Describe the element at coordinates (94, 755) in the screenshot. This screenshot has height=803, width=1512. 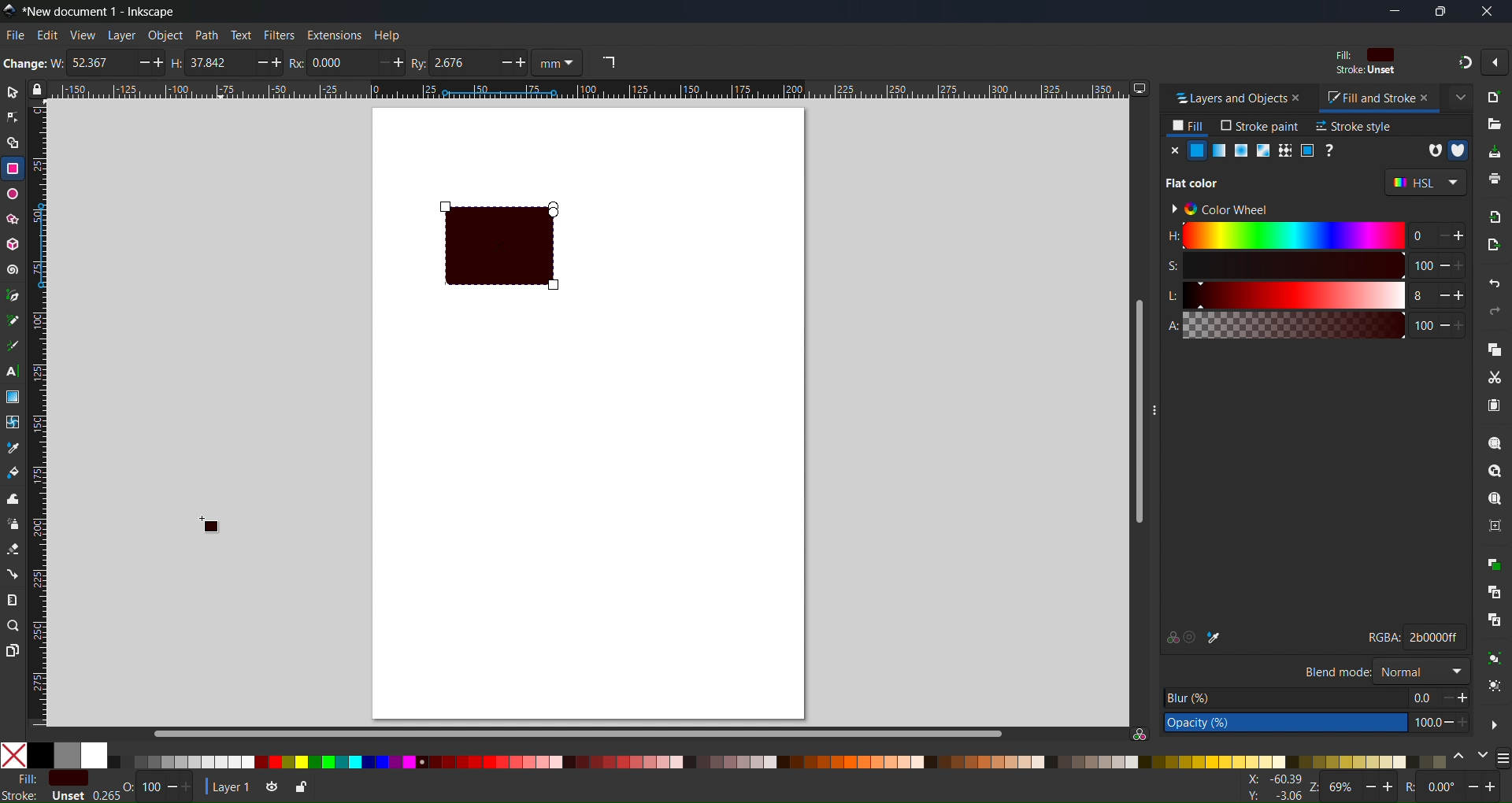
I see `White` at that location.